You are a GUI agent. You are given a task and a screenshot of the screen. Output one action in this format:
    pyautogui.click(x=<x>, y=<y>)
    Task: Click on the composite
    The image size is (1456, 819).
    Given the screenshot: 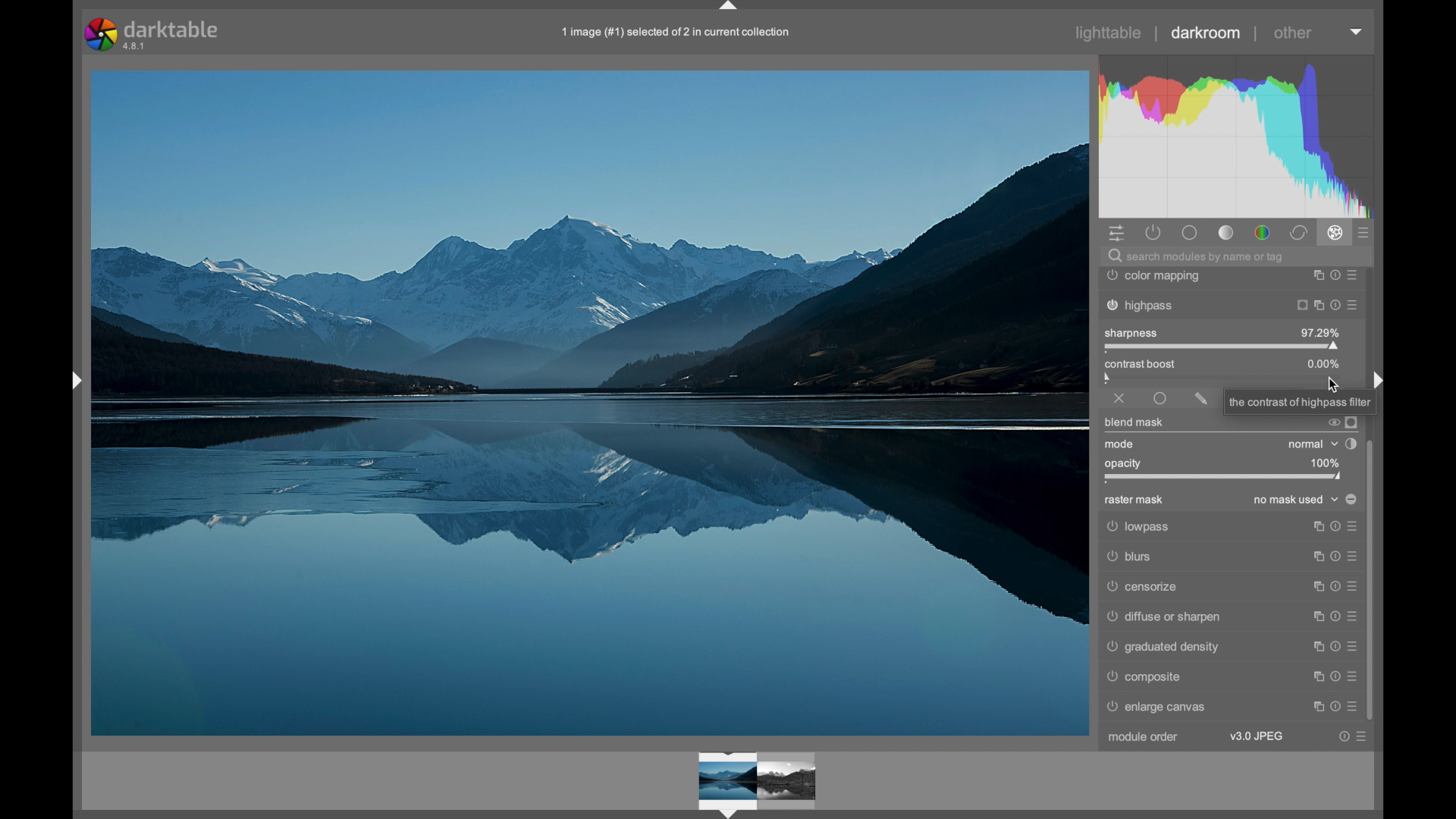 What is the action you would take?
    pyautogui.click(x=1143, y=676)
    